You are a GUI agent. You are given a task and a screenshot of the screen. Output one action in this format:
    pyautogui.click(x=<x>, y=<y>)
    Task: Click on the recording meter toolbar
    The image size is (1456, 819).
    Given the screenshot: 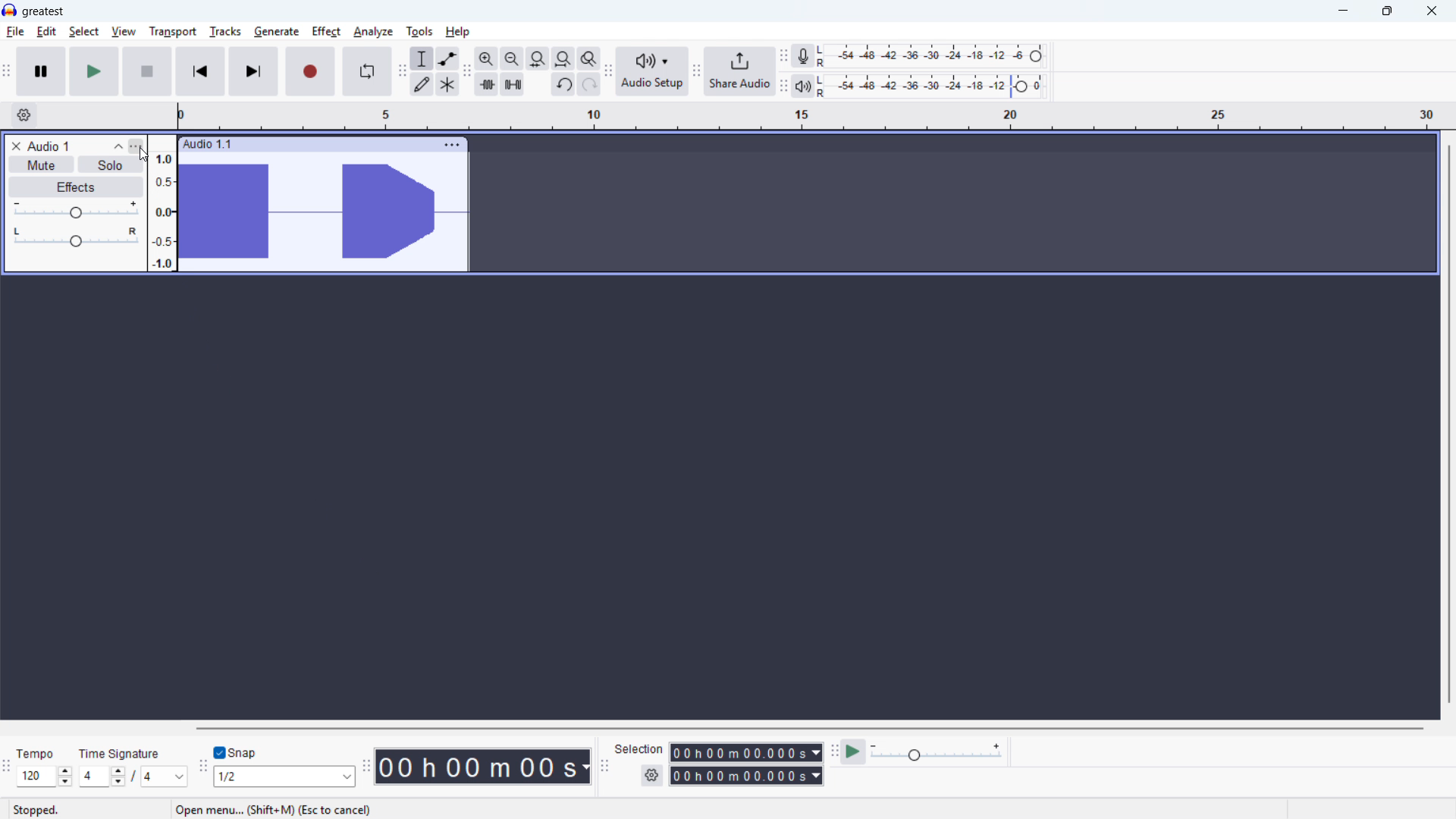 What is the action you would take?
    pyautogui.click(x=783, y=57)
    